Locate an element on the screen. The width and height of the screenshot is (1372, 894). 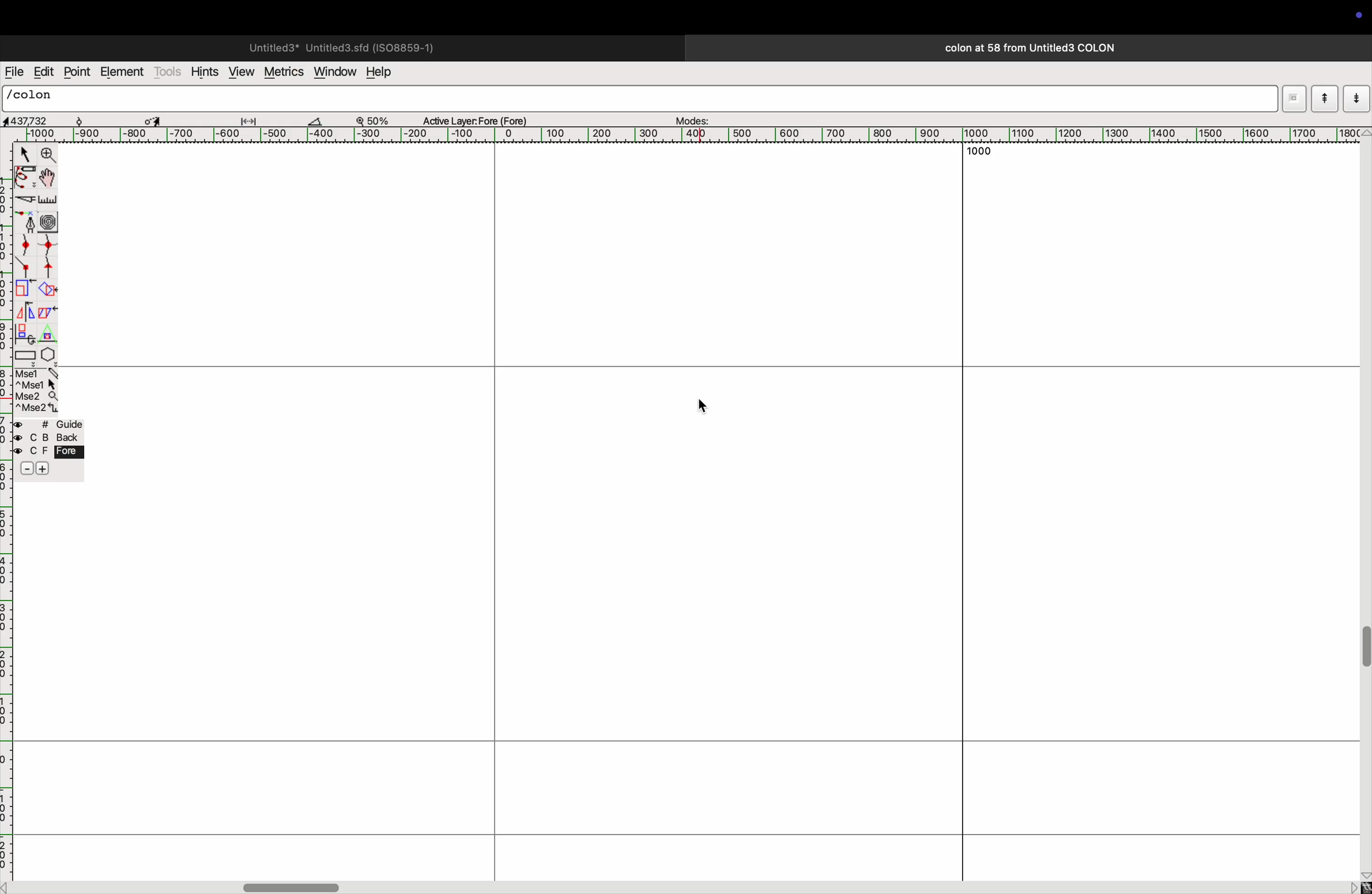
point is located at coordinates (79, 73).